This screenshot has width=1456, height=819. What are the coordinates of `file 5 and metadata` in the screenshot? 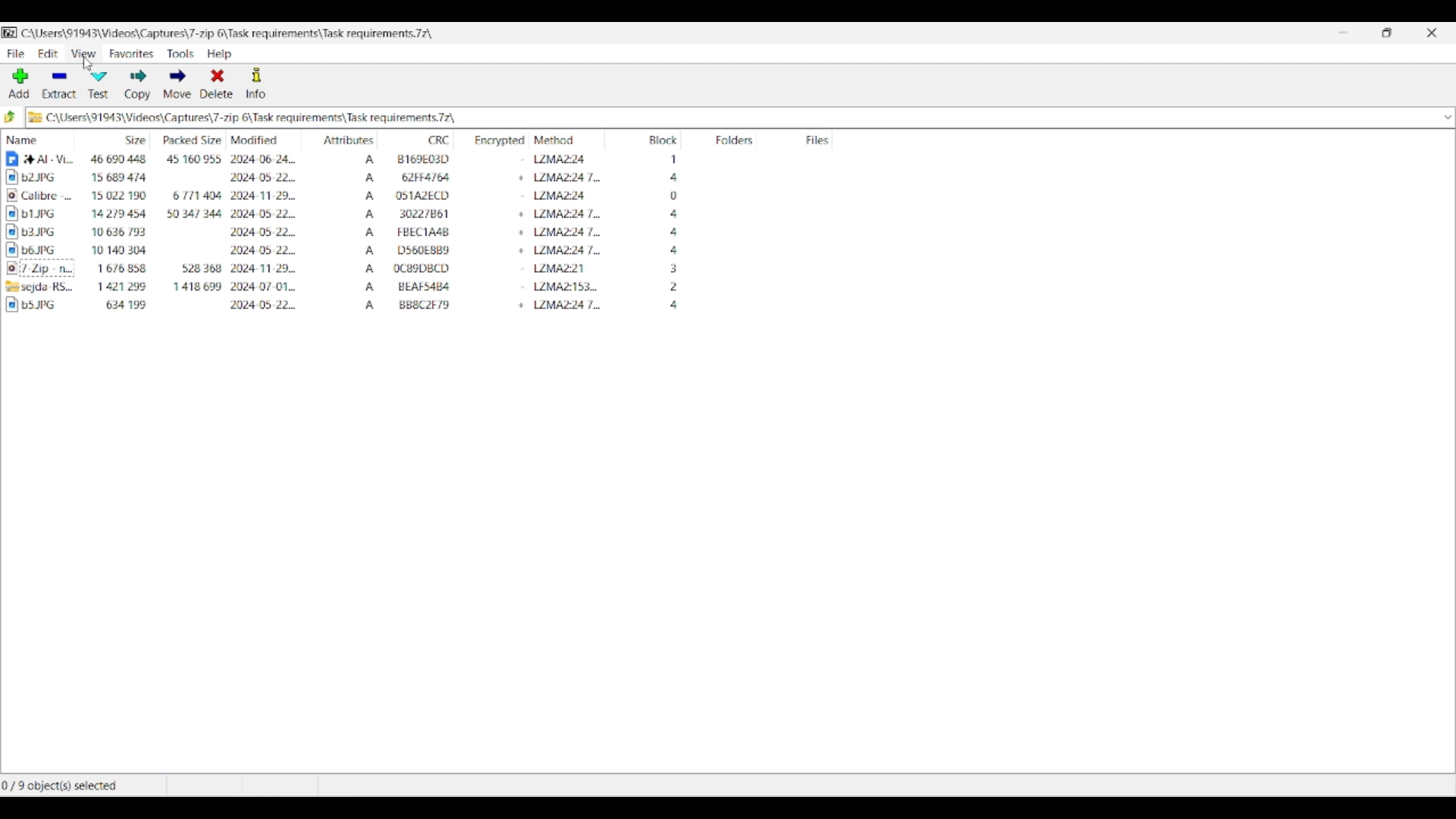 It's located at (419, 232).